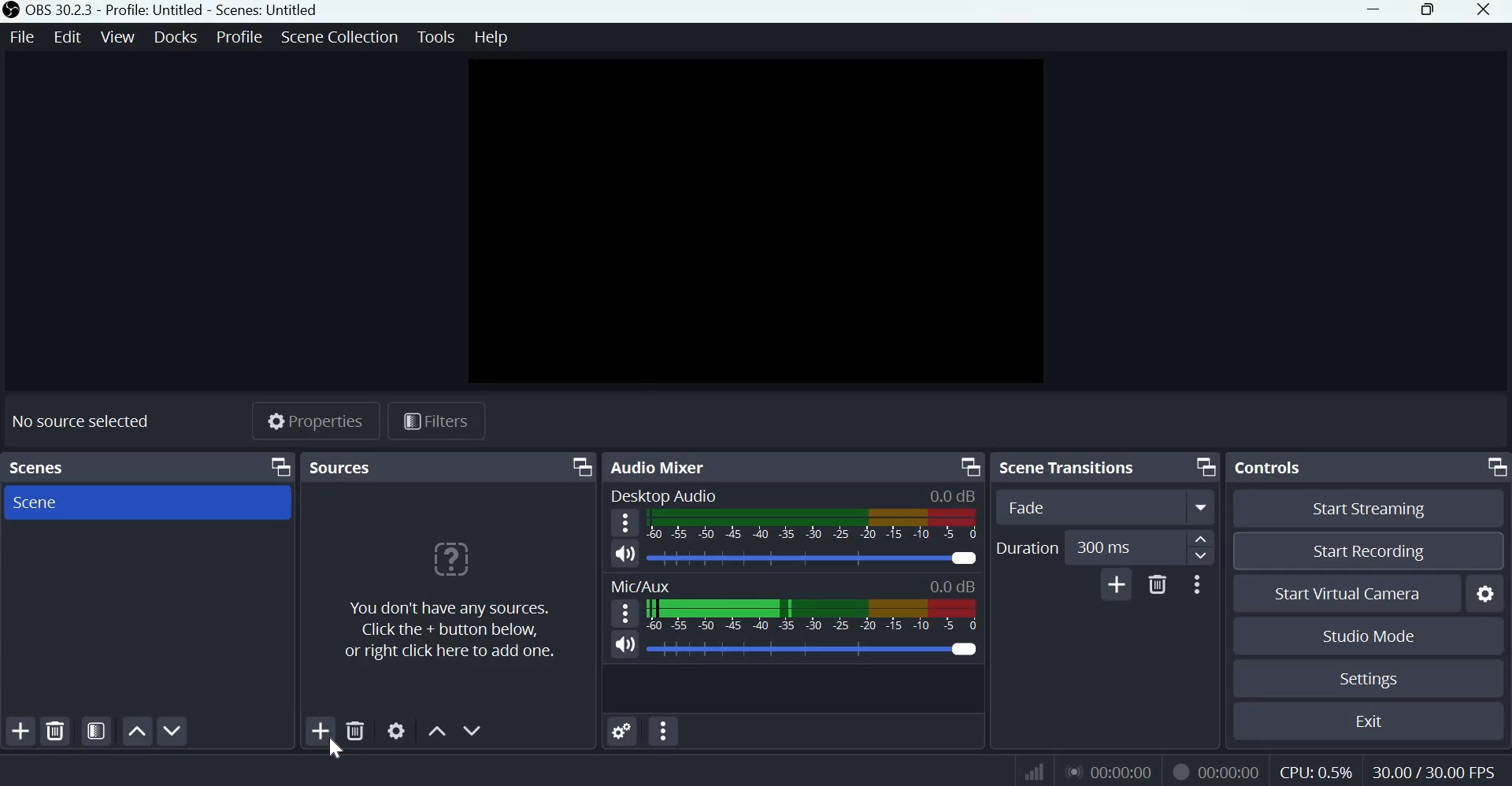 This screenshot has width=1512, height=786. I want to click on Volume Meter, so click(813, 616).